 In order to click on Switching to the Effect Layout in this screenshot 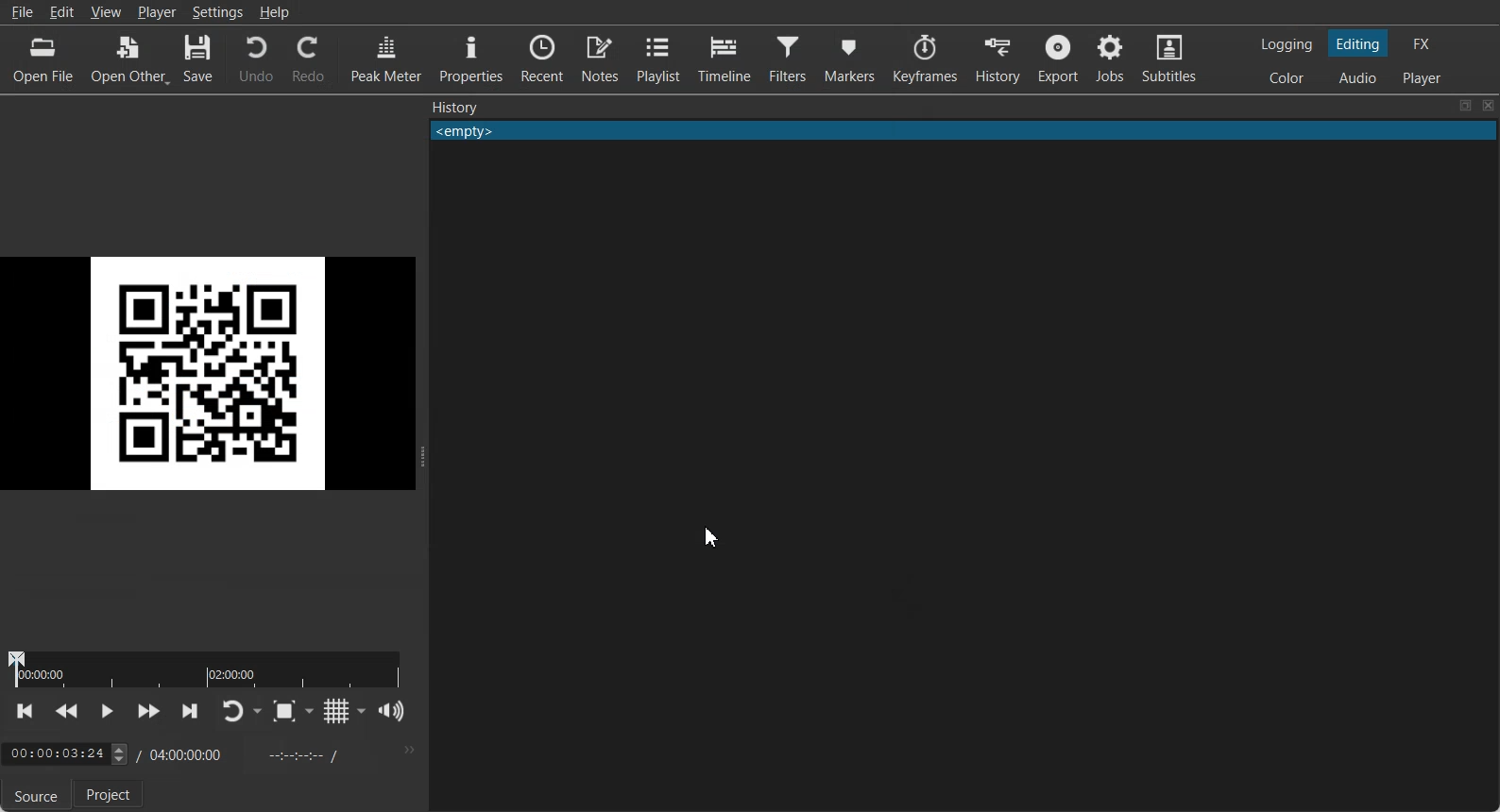, I will do `click(1421, 42)`.